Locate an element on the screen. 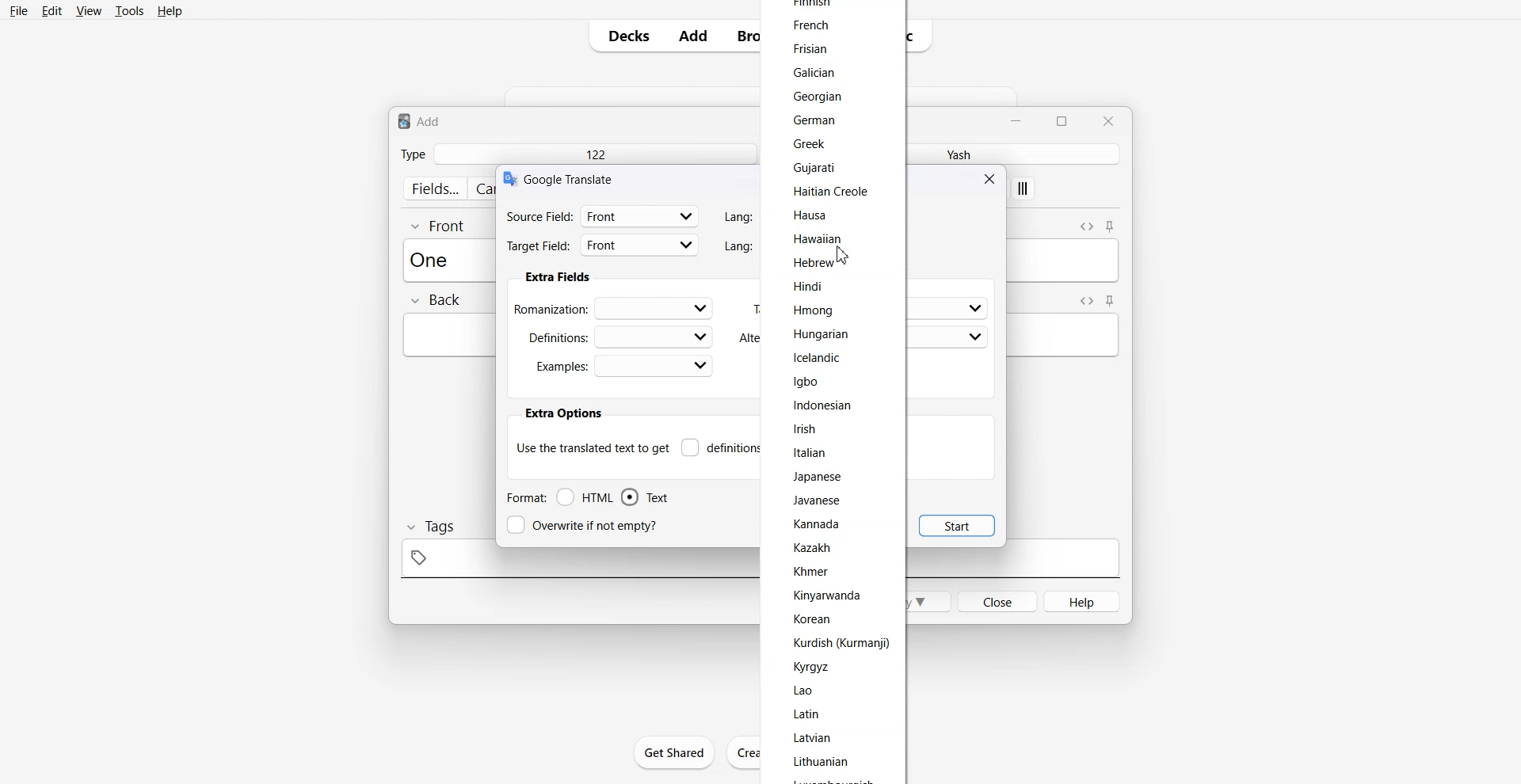 The image size is (1521, 784). Haitian Creole is located at coordinates (829, 192).